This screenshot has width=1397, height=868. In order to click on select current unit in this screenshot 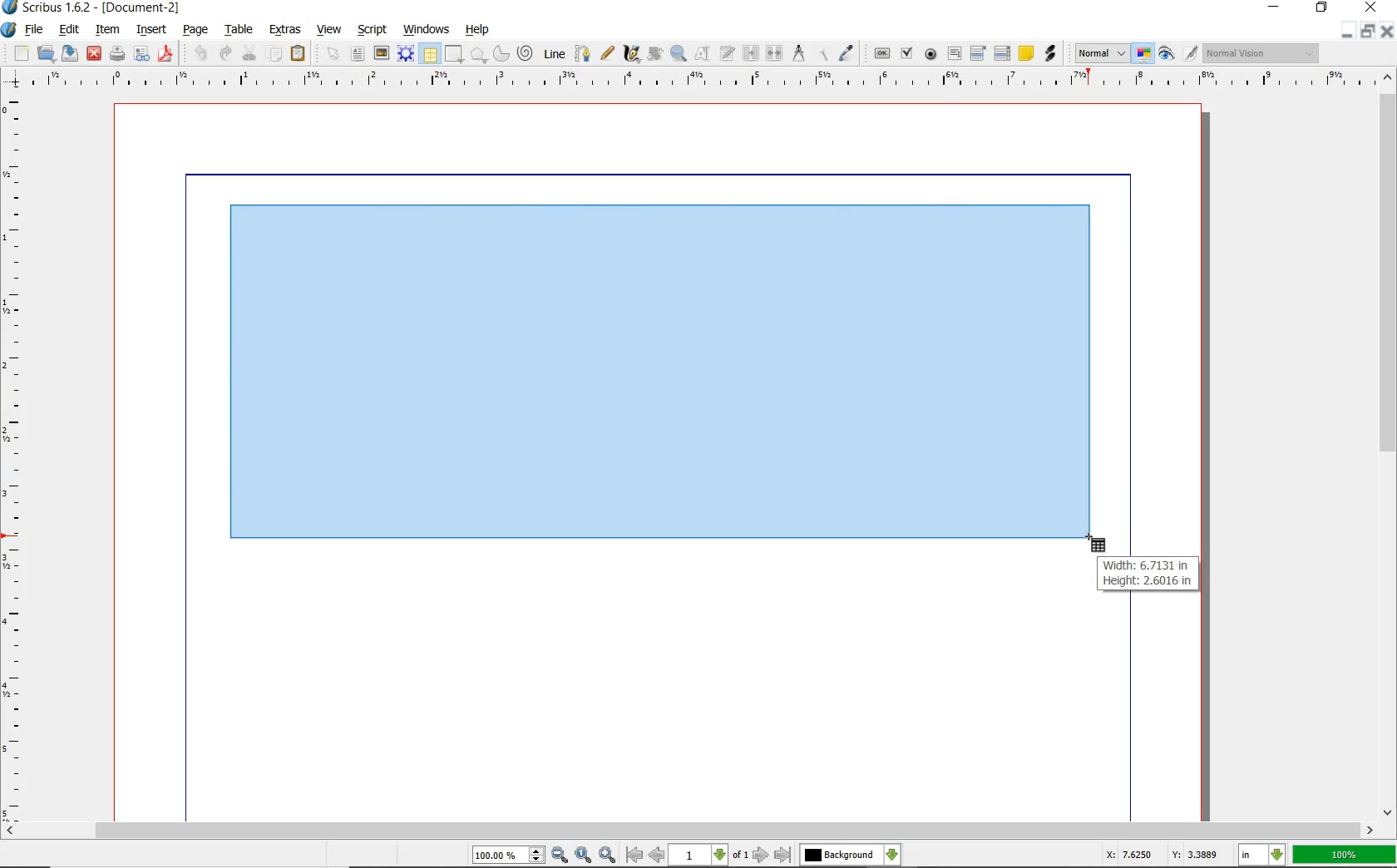, I will do `click(1264, 856)`.